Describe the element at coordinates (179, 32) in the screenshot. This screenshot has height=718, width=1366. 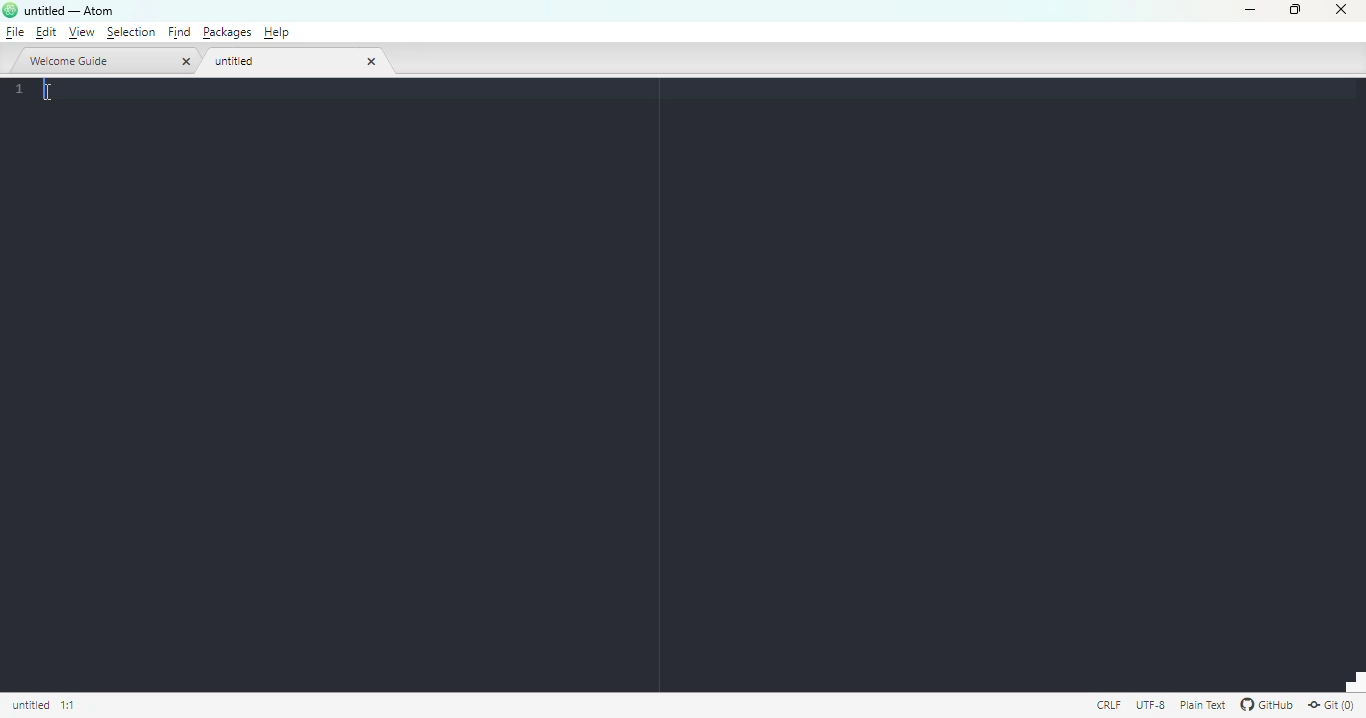
I see `find` at that location.